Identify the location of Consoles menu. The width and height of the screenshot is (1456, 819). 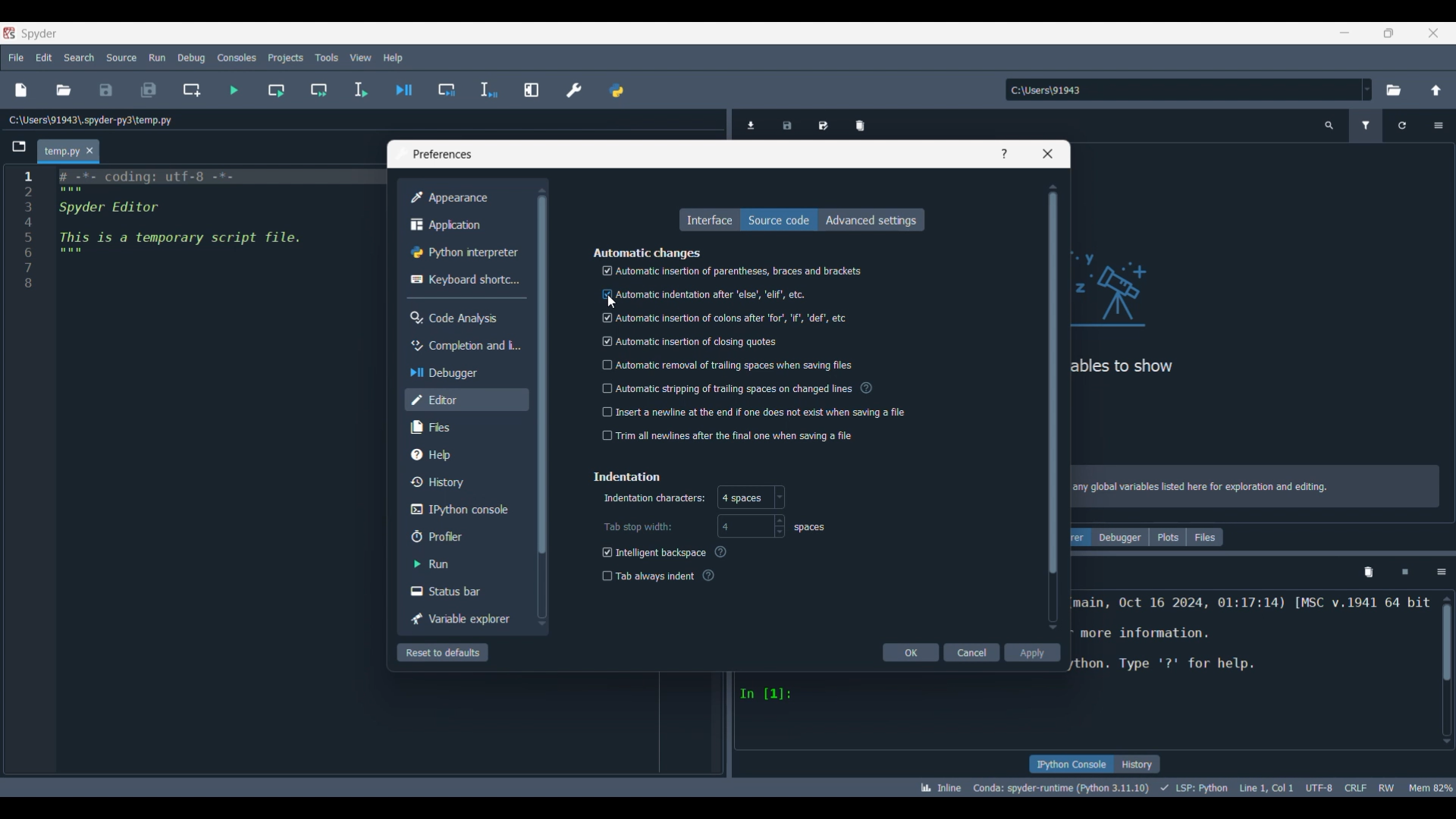
(237, 58).